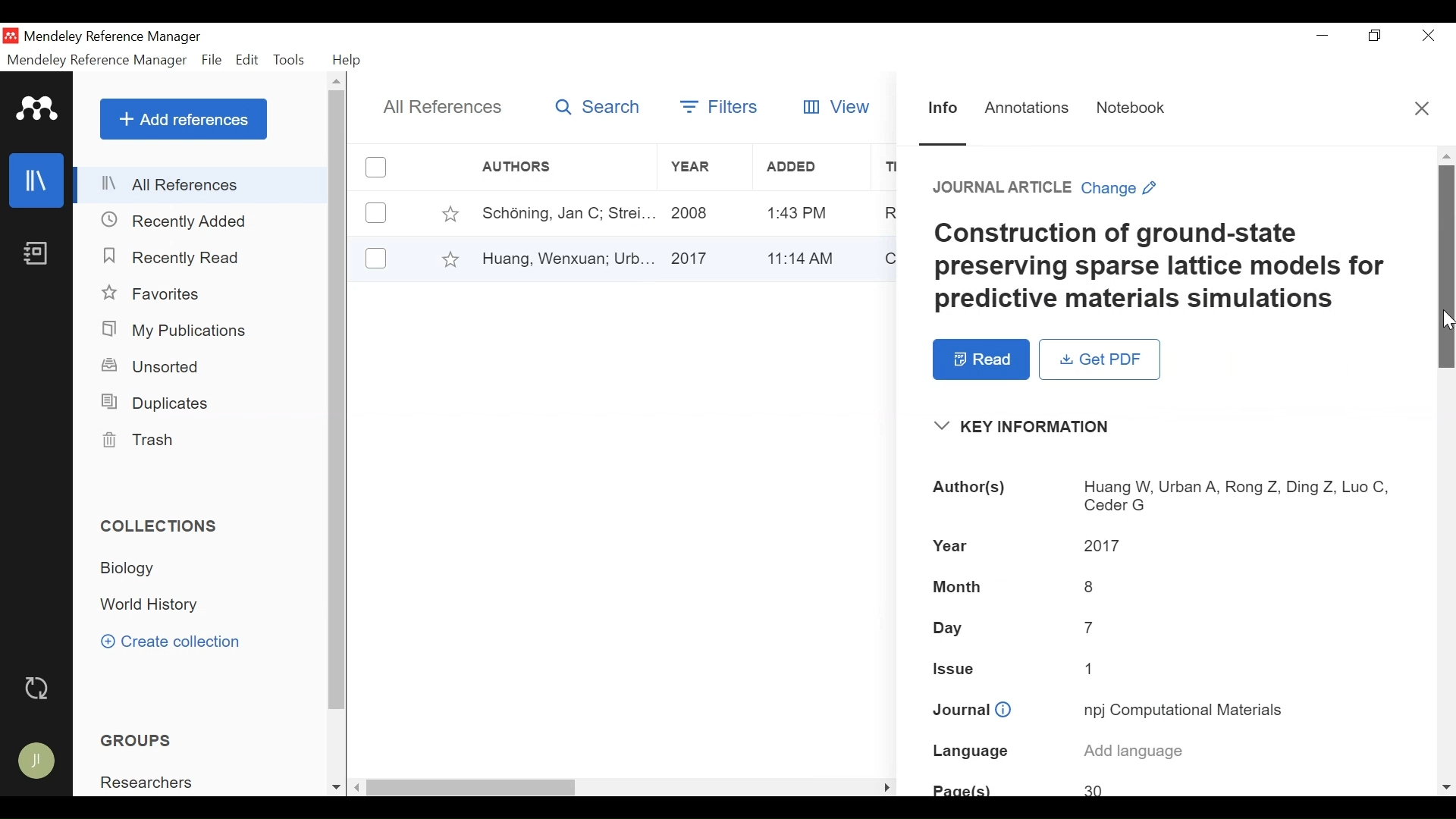  Describe the element at coordinates (1166, 786) in the screenshot. I see `Page` at that location.